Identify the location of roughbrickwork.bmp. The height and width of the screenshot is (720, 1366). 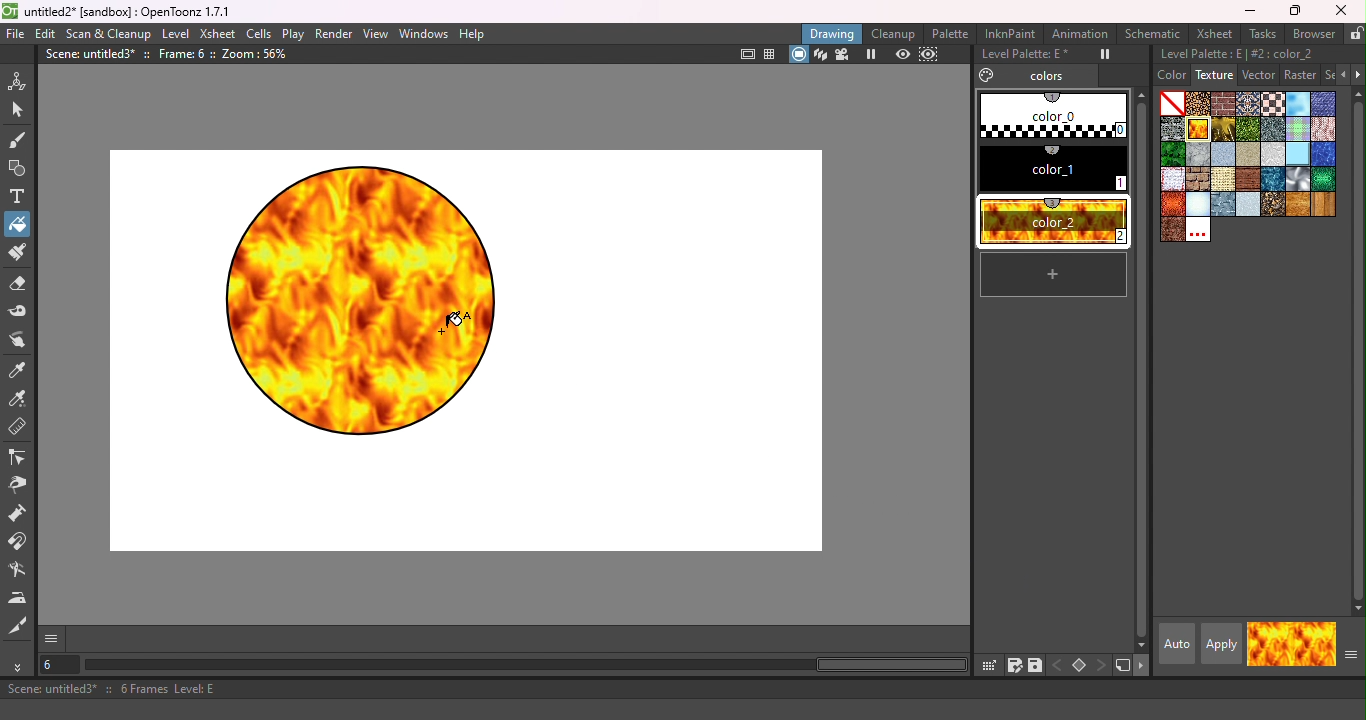
(1199, 180).